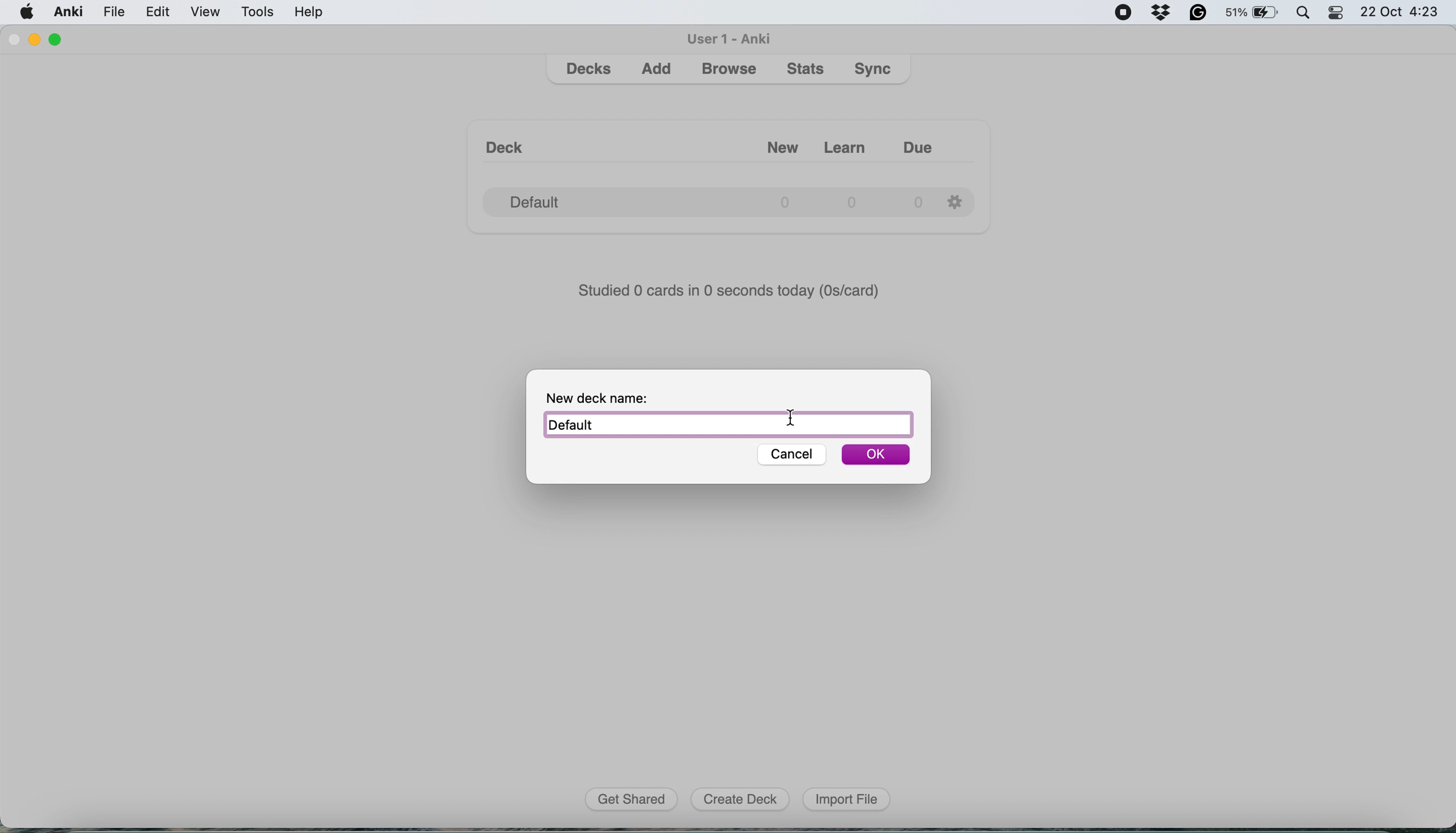 Image resolution: width=1456 pixels, height=833 pixels. What do you see at coordinates (727, 425) in the screenshot?
I see `Default` at bounding box center [727, 425].